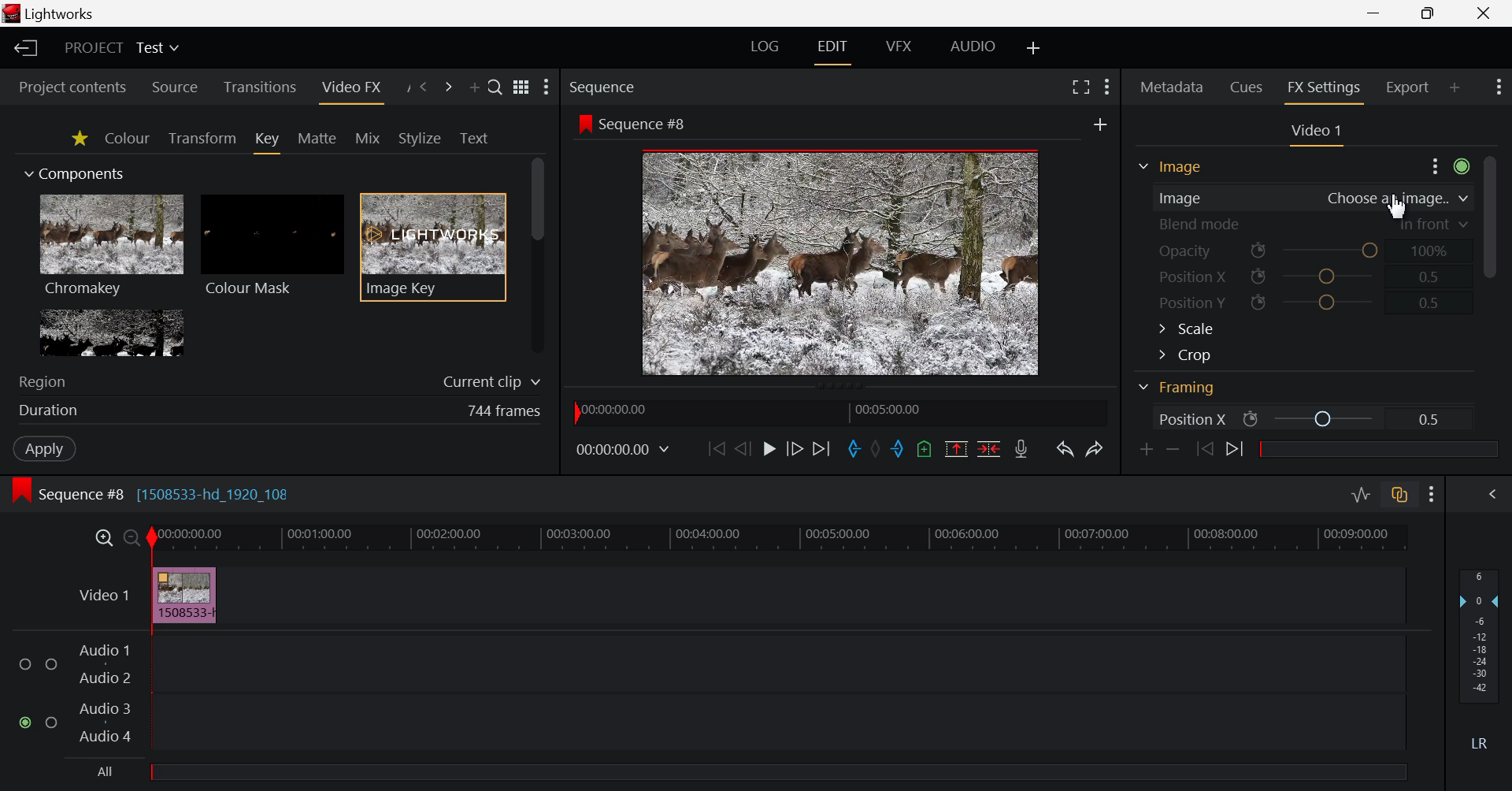 This screenshot has height=791, width=1512. Describe the element at coordinates (81, 171) in the screenshot. I see `Components Section` at that location.